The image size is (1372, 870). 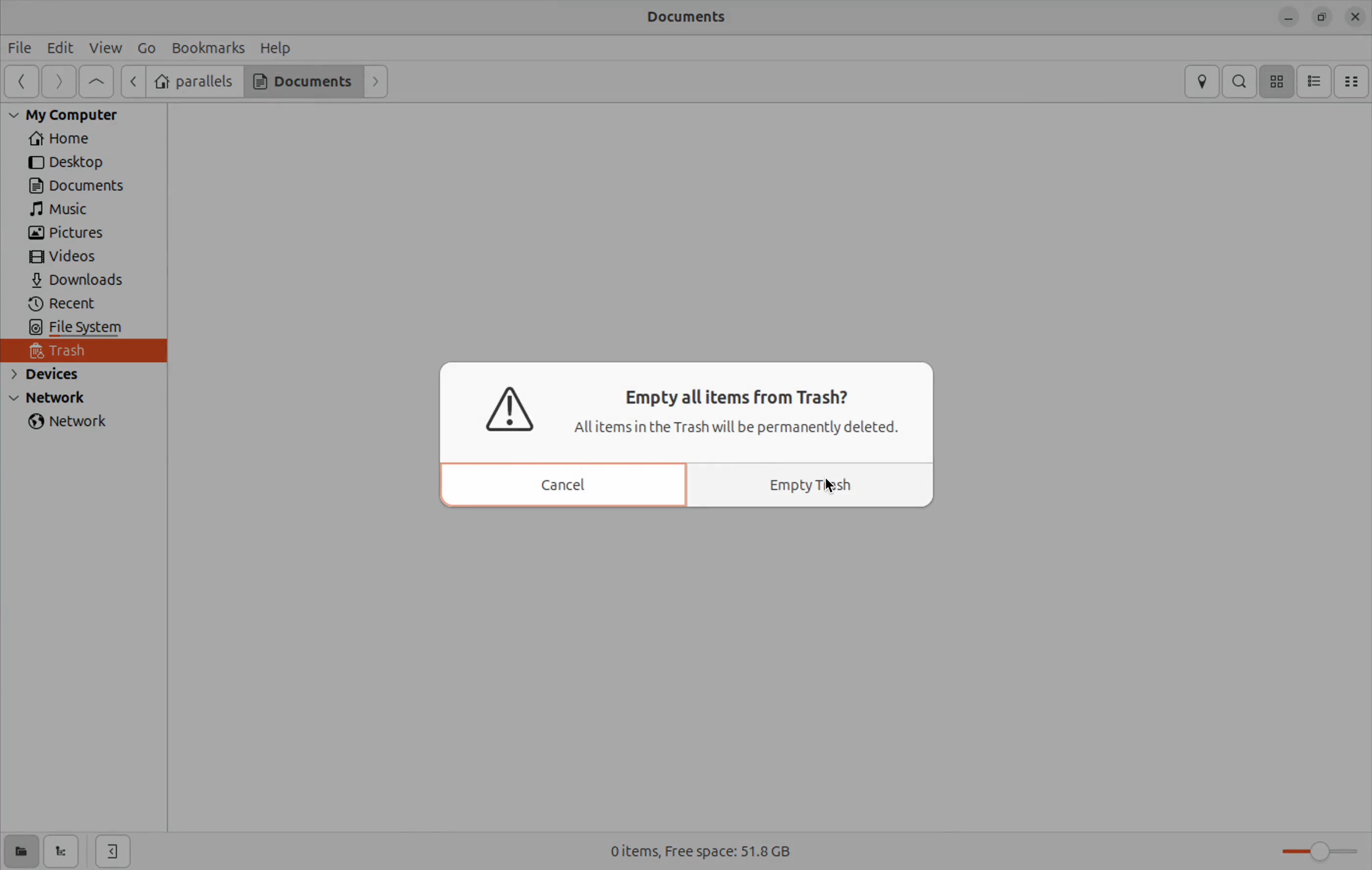 I want to click on Go to first page, so click(x=96, y=81).